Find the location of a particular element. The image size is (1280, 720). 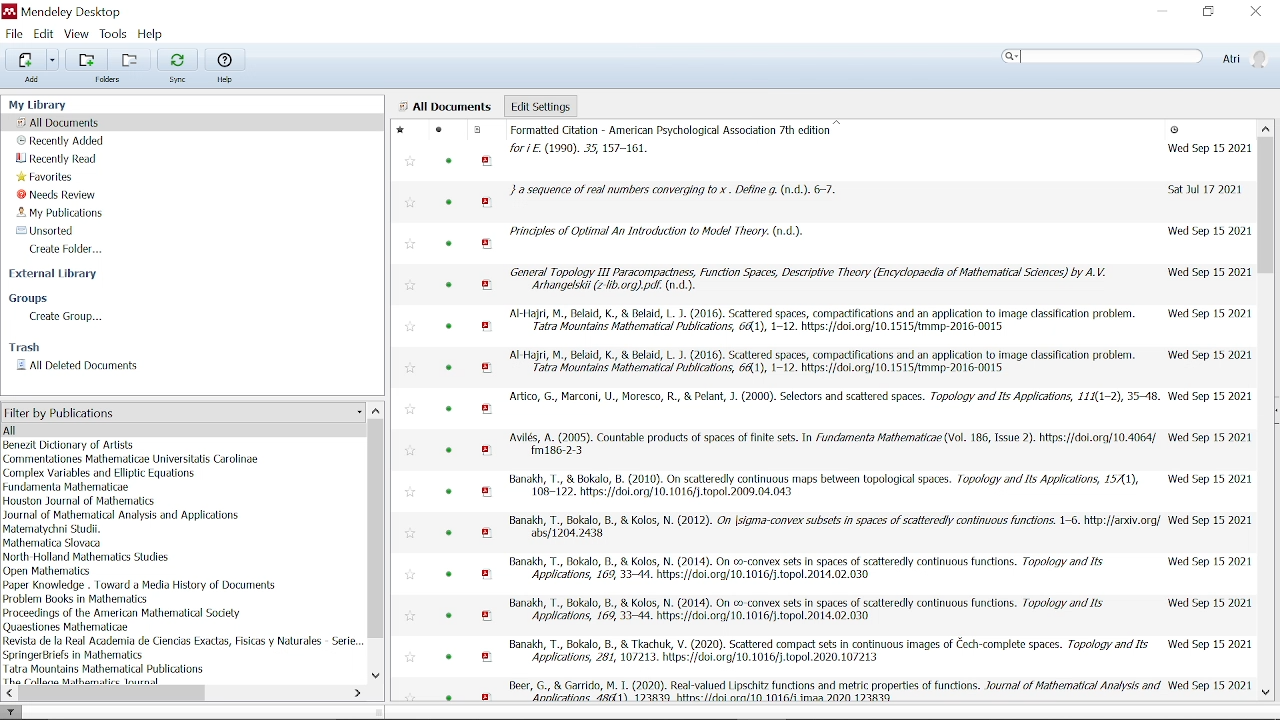

Help is located at coordinates (151, 34).